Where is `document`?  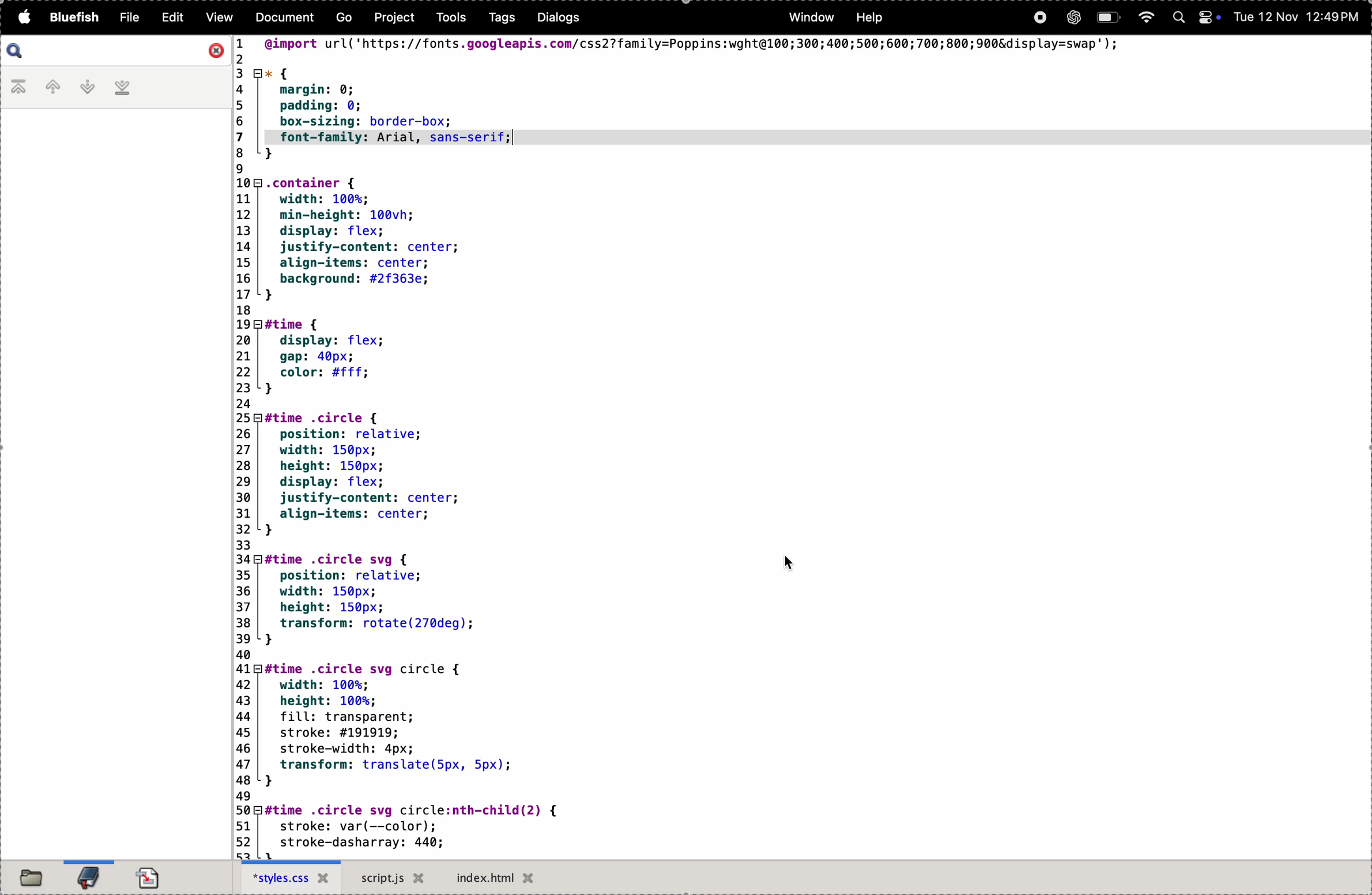 document is located at coordinates (283, 18).